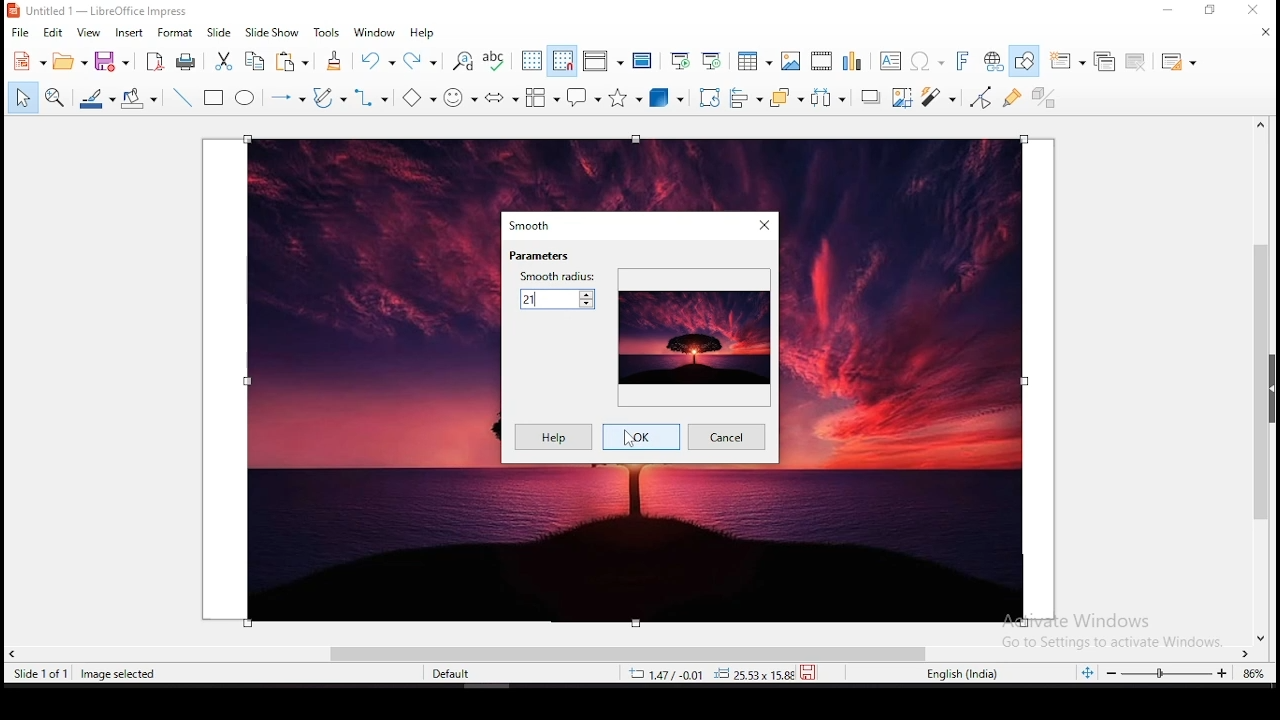  I want to click on text box, so click(890, 61).